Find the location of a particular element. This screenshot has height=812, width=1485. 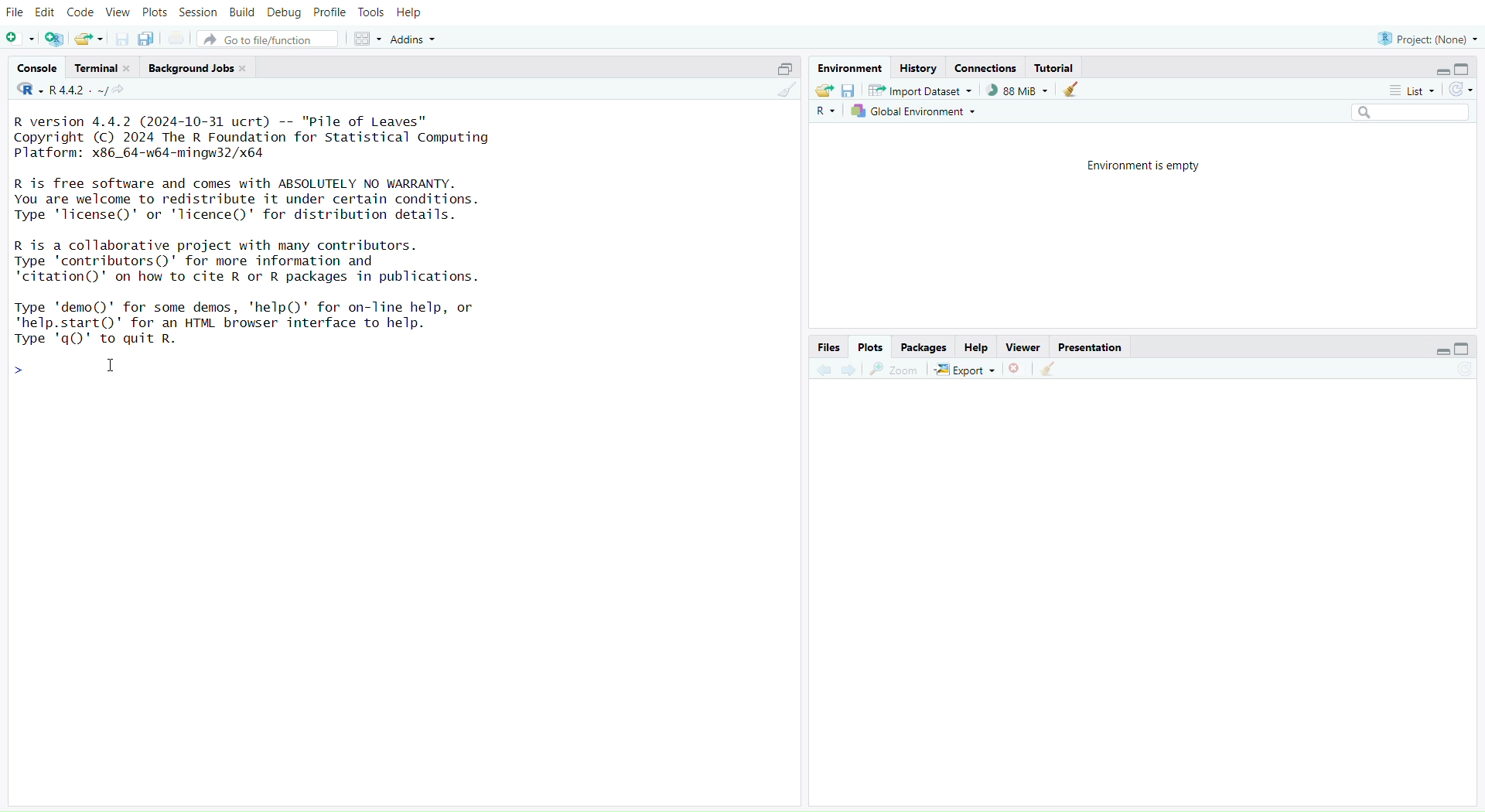

create a project is located at coordinates (54, 39).